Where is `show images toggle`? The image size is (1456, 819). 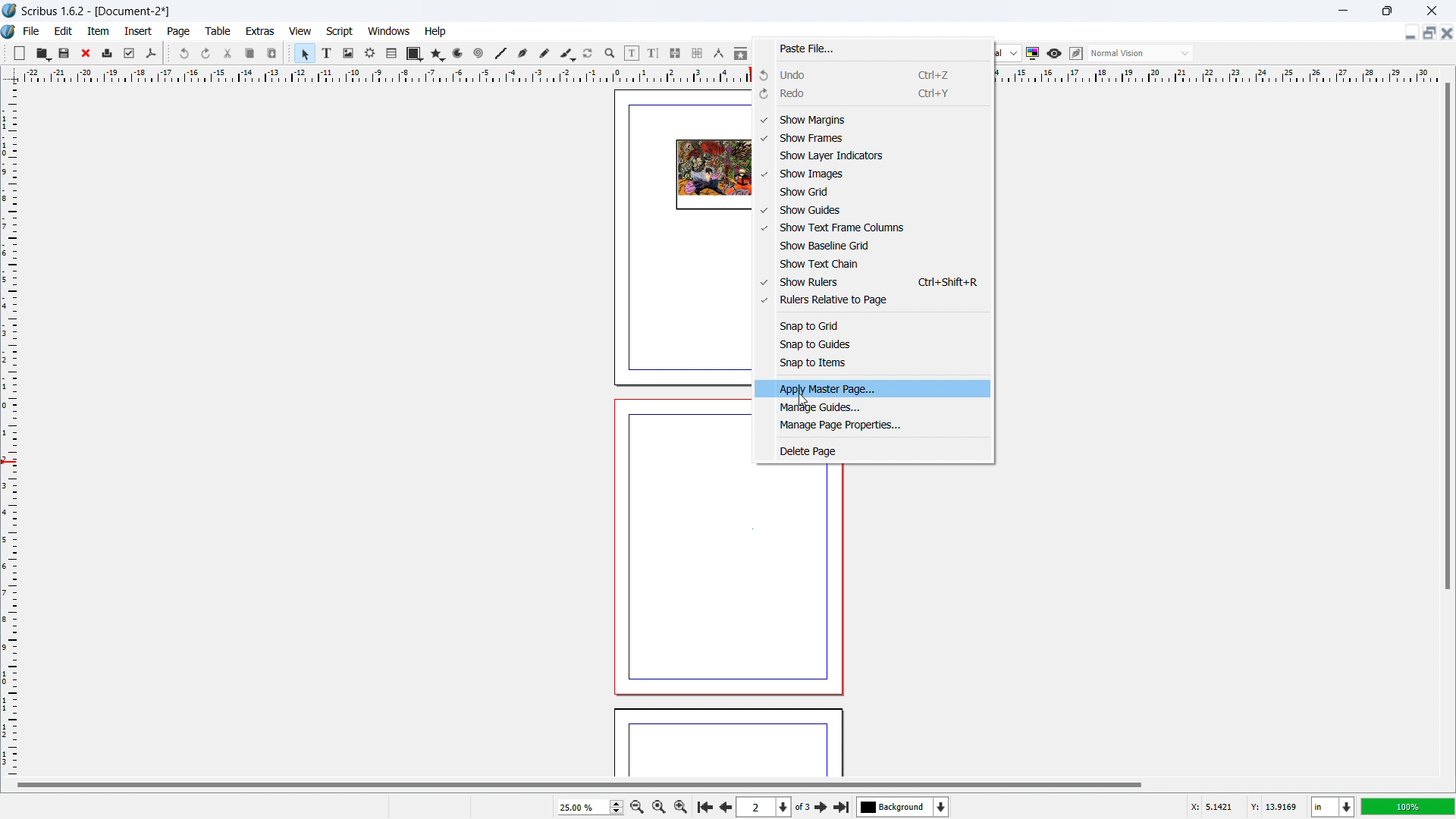 show images toggle is located at coordinates (872, 174).